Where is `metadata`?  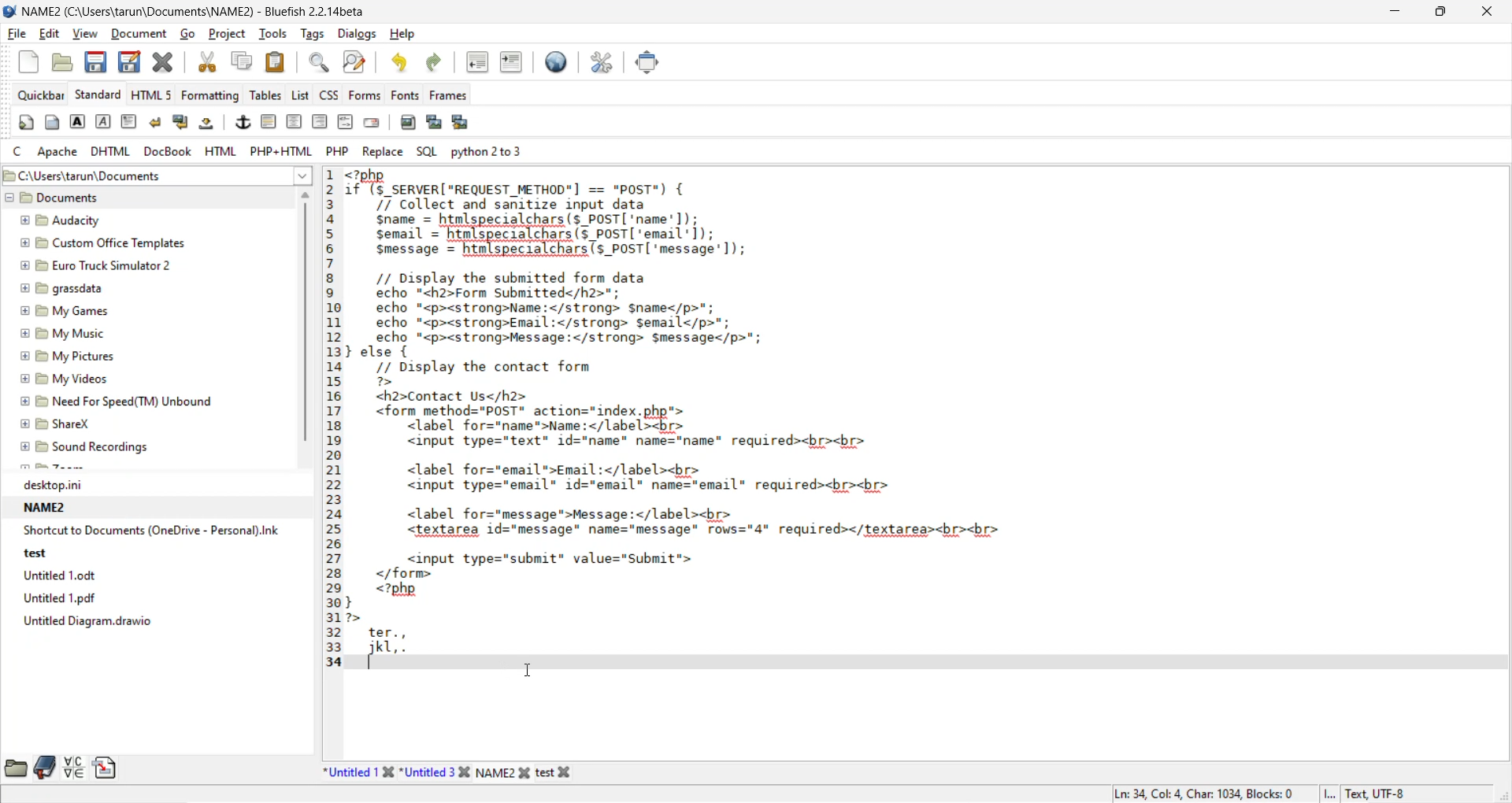
metadata is located at coordinates (1253, 790).